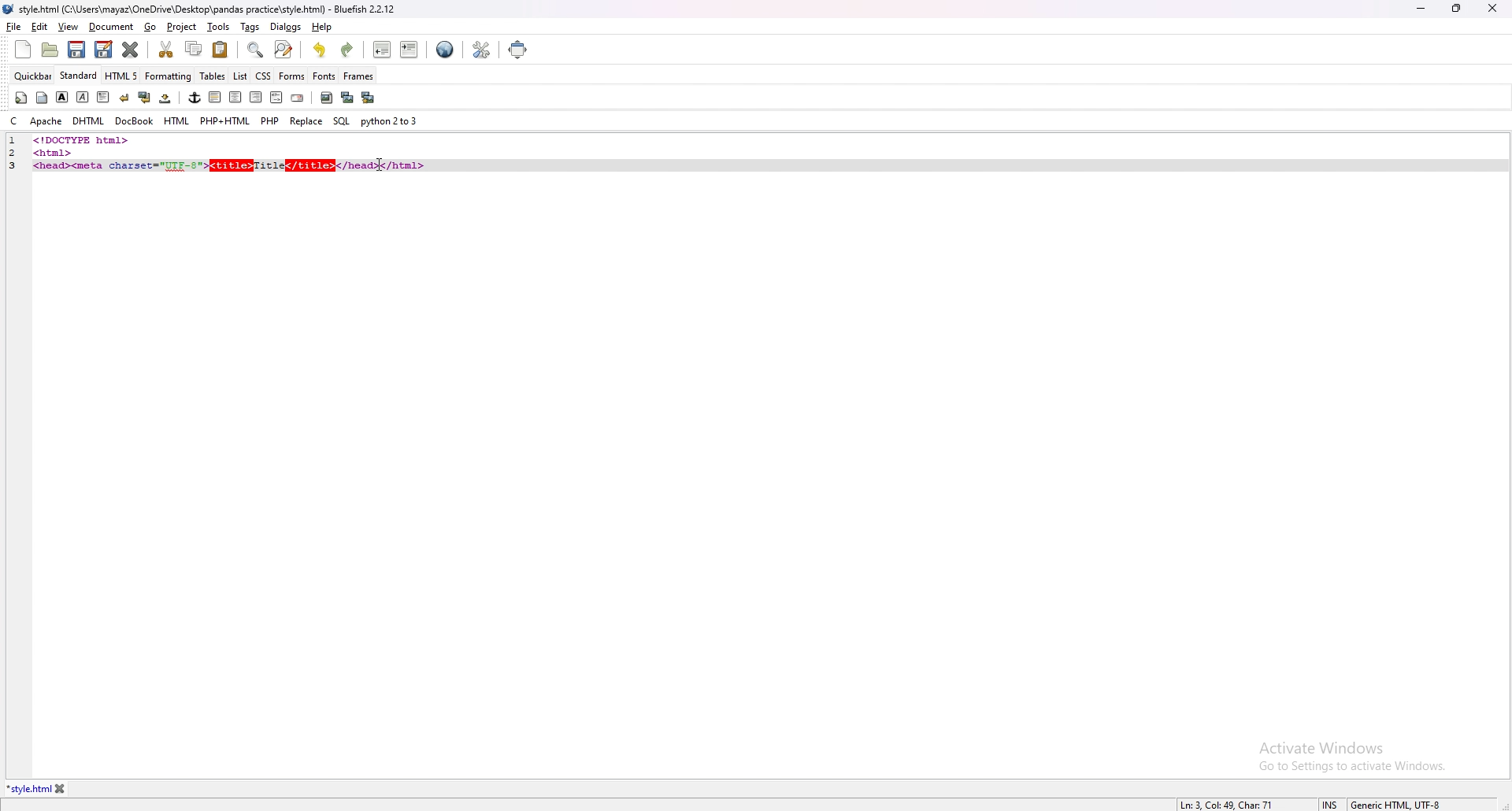 The width and height of the screenshot is (1512, 811). Describe the element at coordinates (1421, 9) in the screenshot. I see `minimize` at that location.